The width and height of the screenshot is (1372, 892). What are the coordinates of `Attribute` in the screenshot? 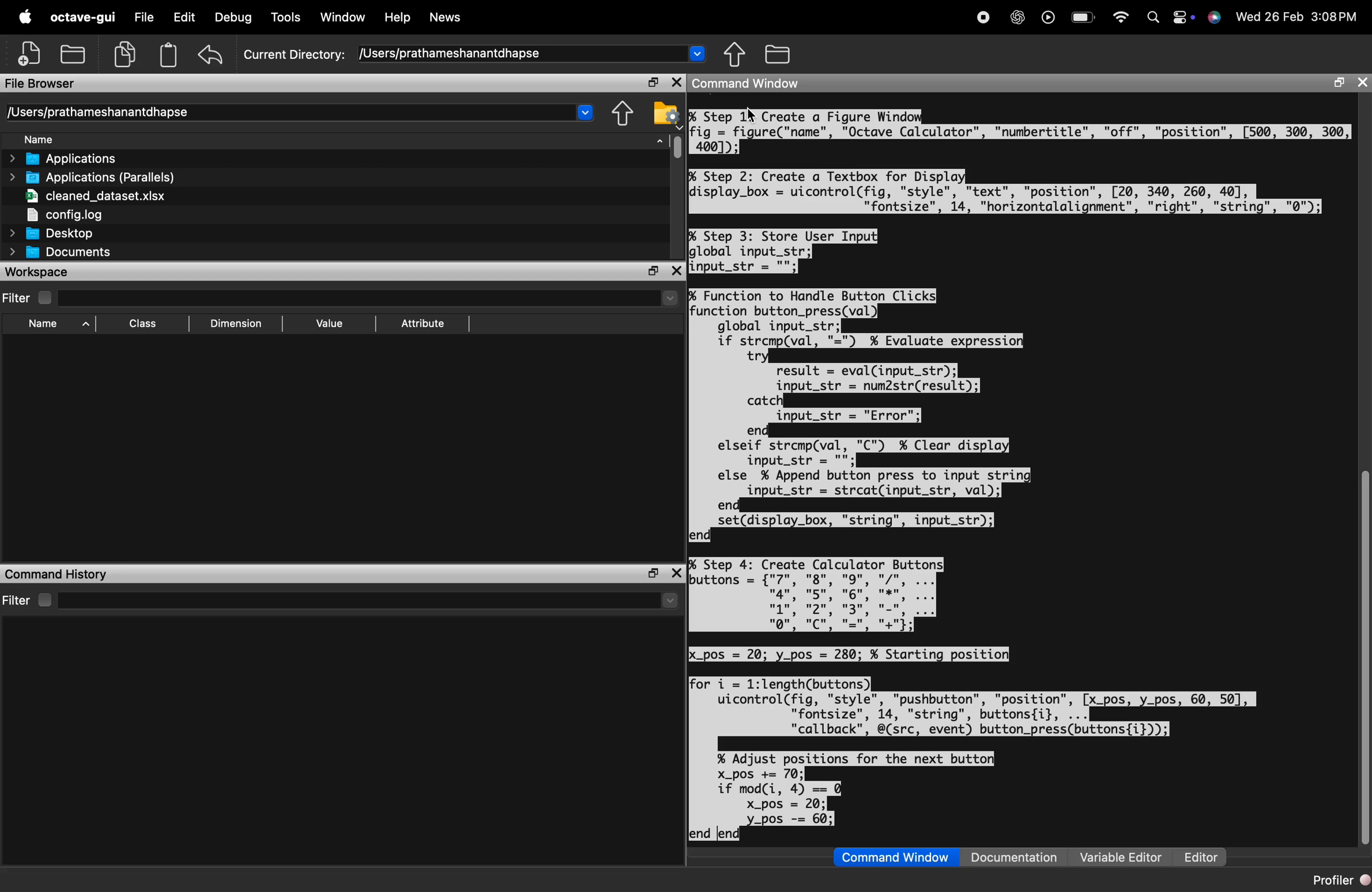 It's located at (421, 326).